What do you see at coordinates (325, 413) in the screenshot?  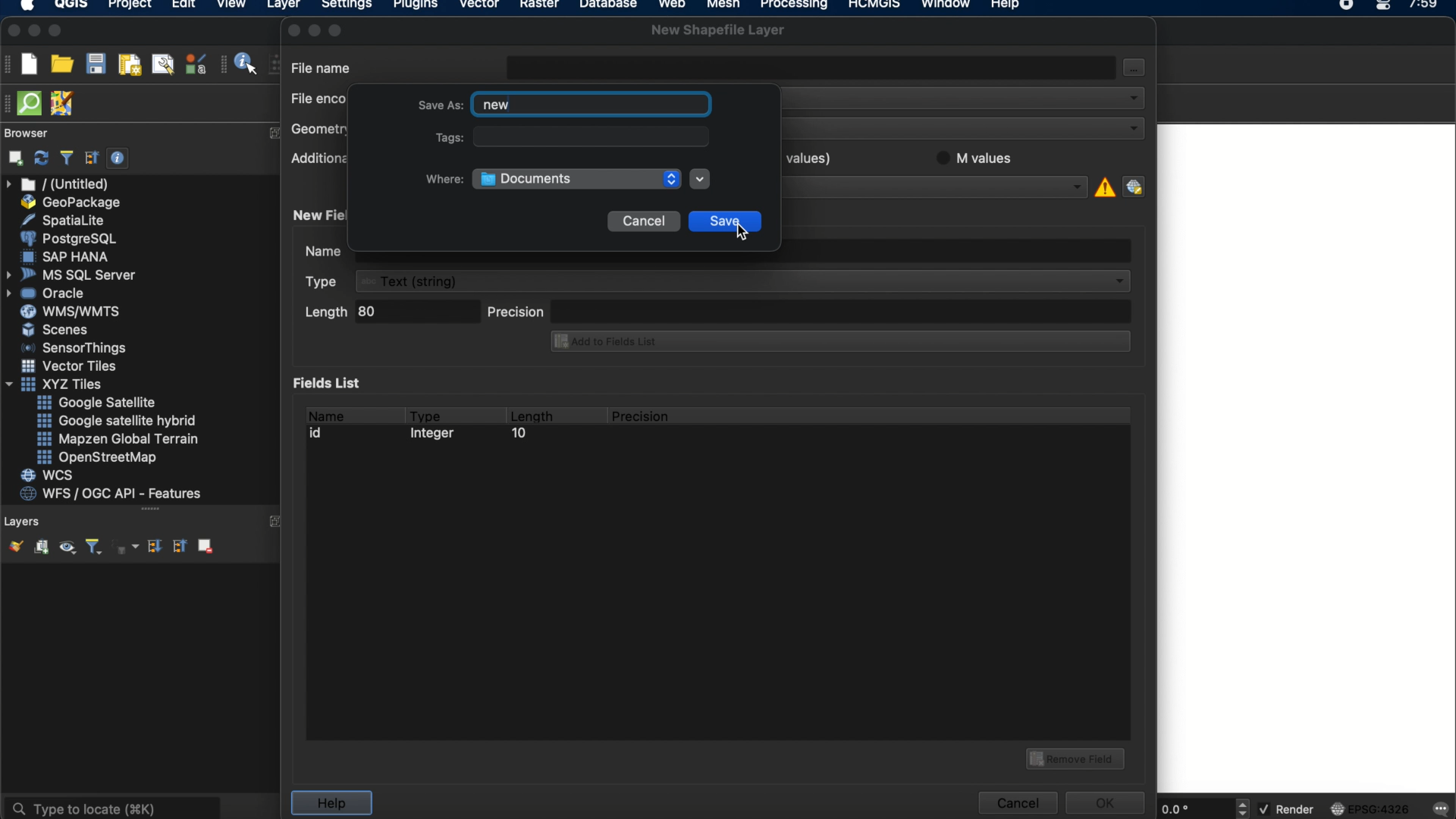 I see `name` at bounding box center [325, 413].